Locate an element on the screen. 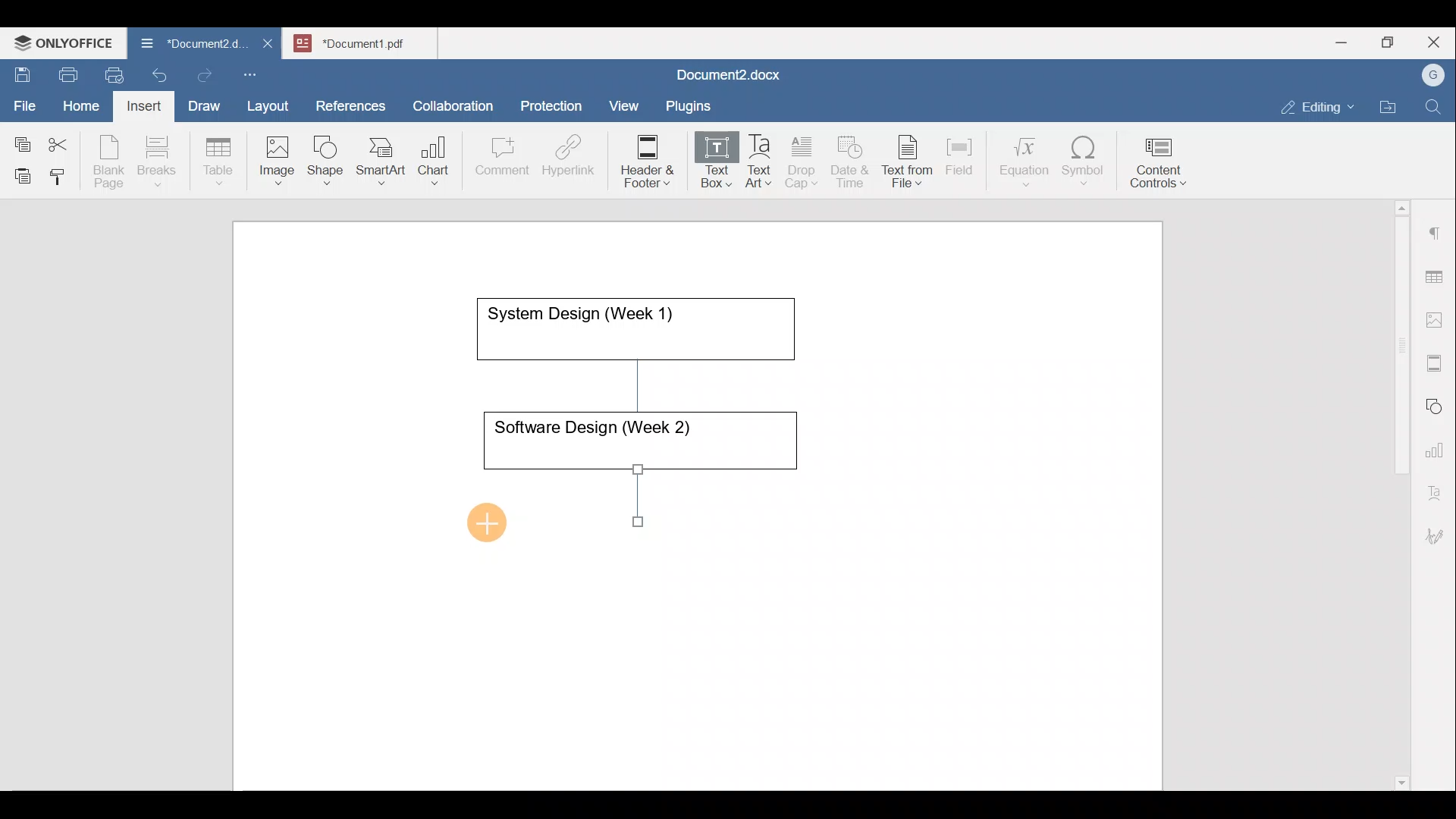  Table settings is located at coordinates (1437, 275).